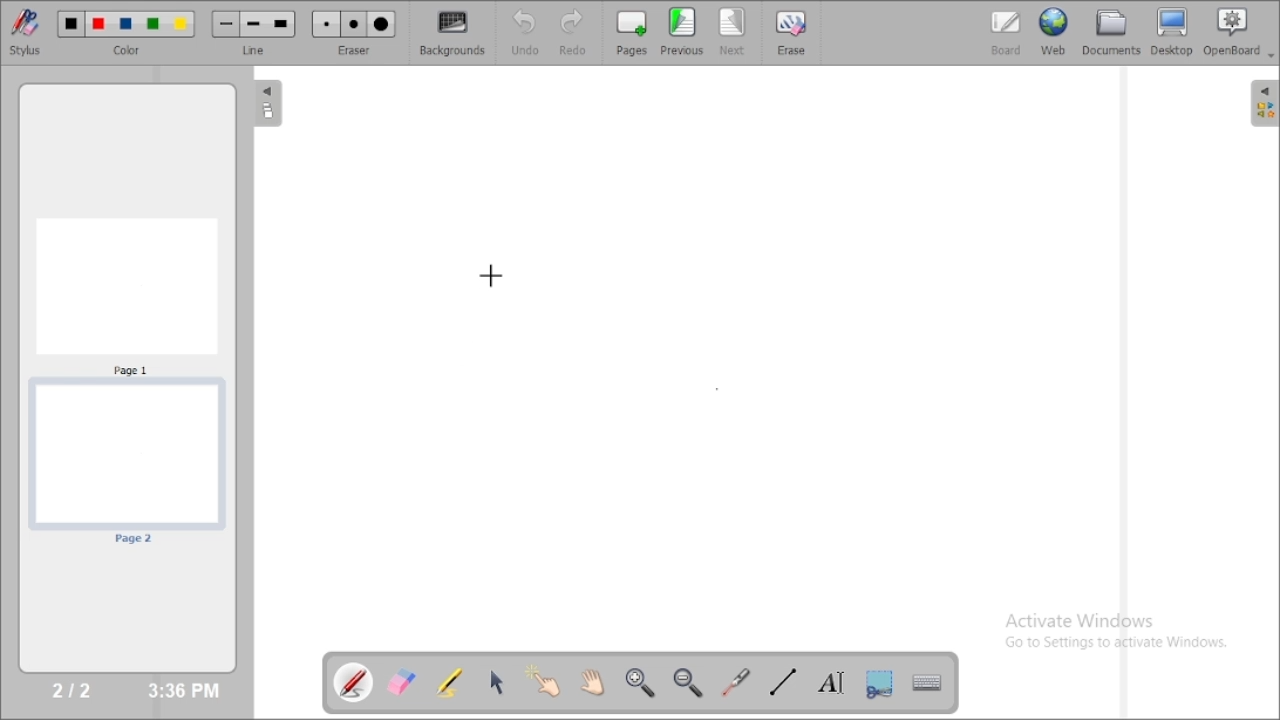 This screenshot has height=720, width=1280. Describe the element at coordinates (1110, 31) in the screenshot. I see `documents` at that location.